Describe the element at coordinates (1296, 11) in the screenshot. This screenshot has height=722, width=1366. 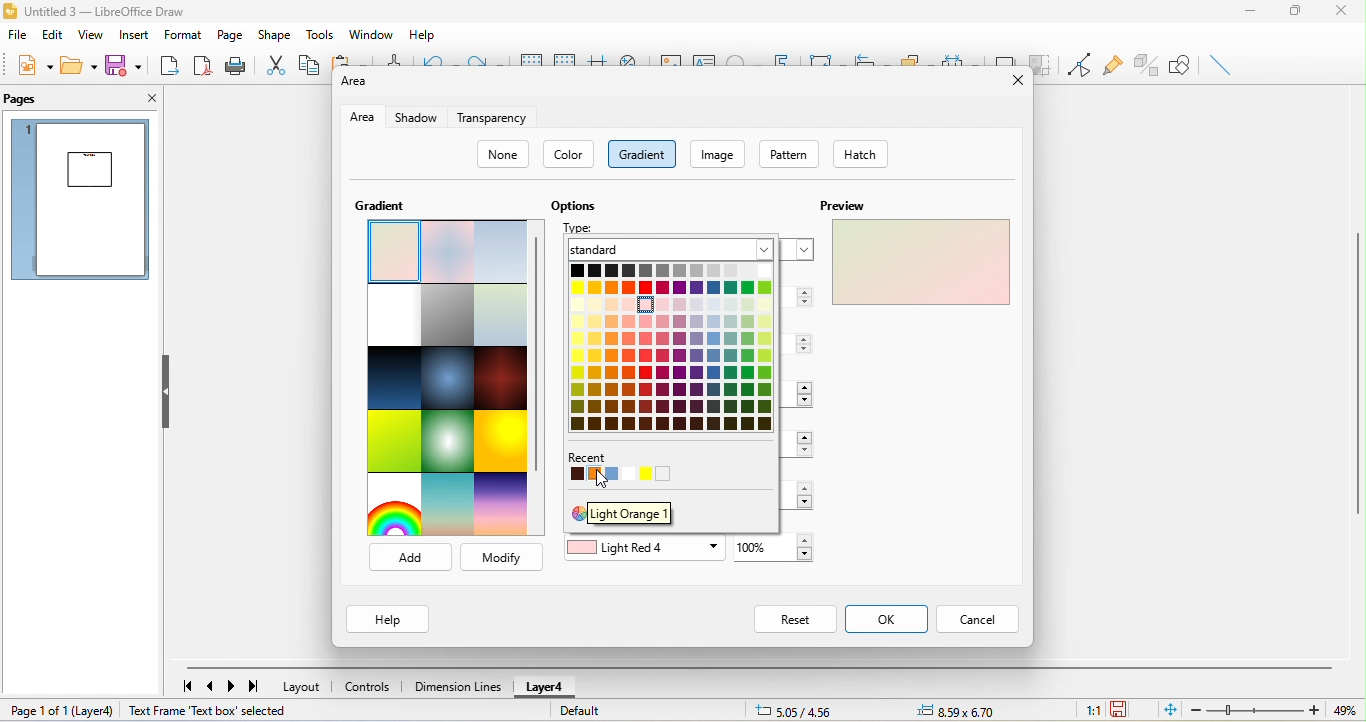
I see `maximize` at that location.